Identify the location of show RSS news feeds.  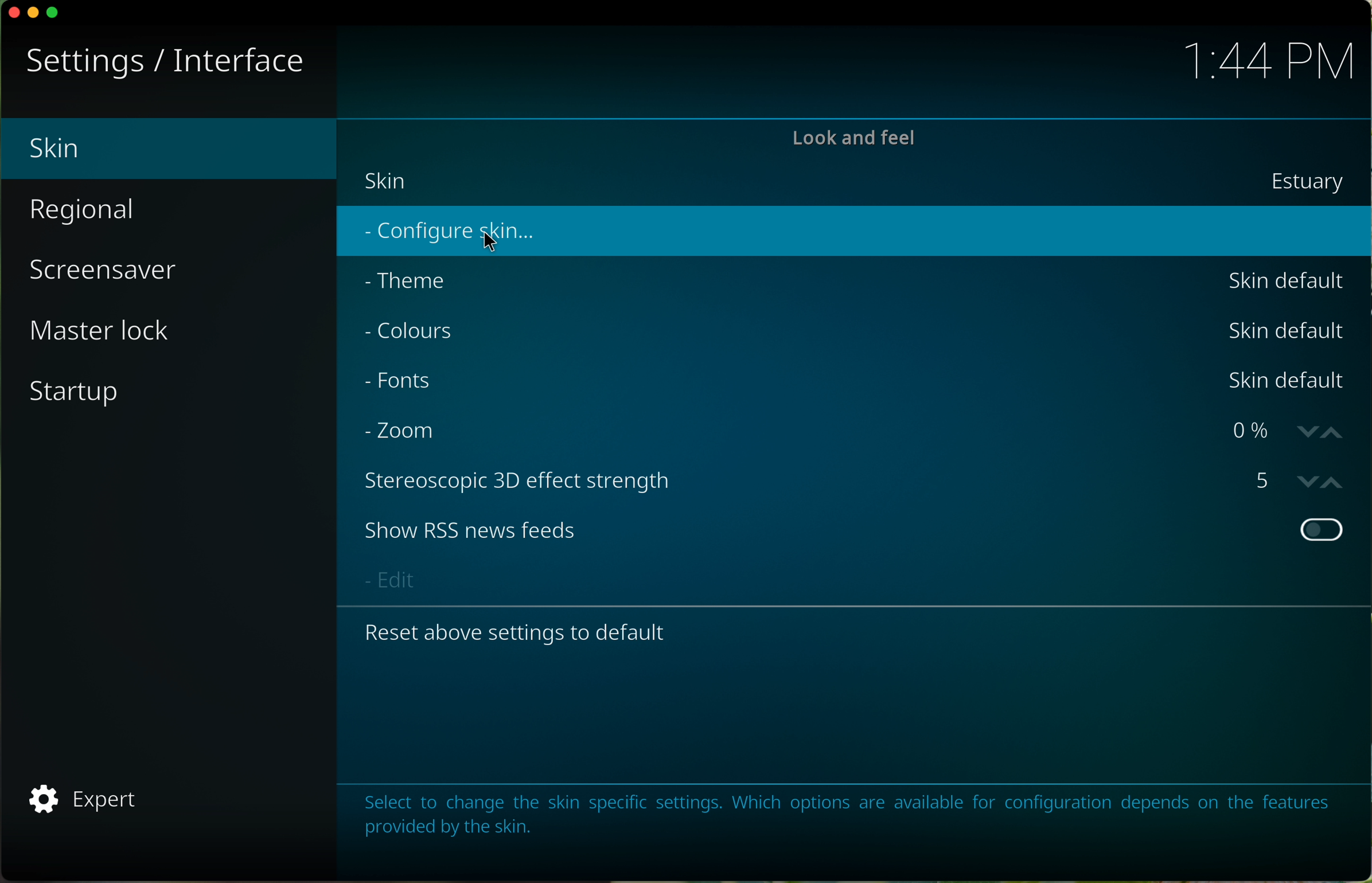
(473, 529).